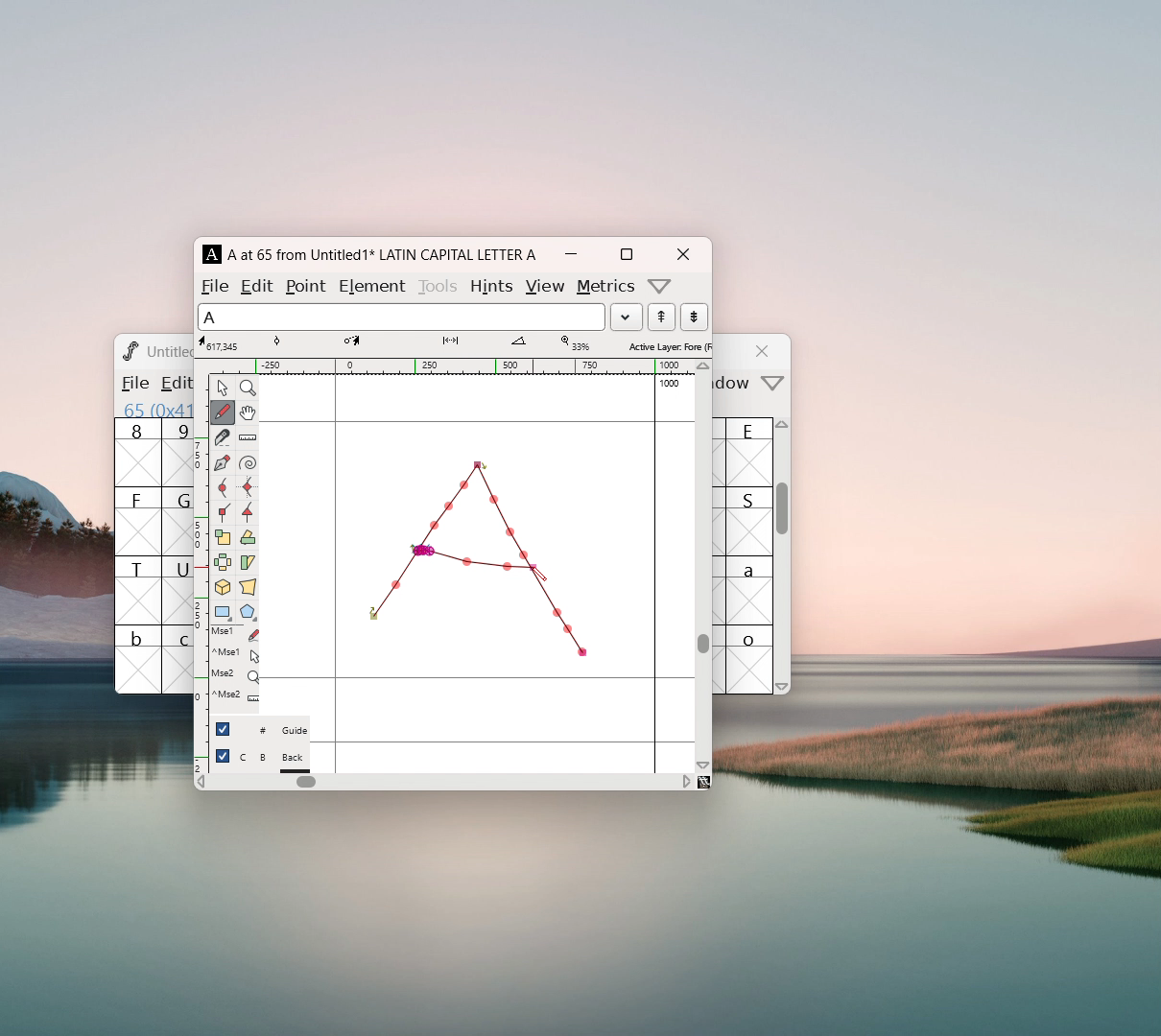 The height and width of the screenshot is (1036, 1161). Describe the element at coordinates (223, 589) in the screenshot. I see `rotate the selection to 3D and project back to plane` at that location.